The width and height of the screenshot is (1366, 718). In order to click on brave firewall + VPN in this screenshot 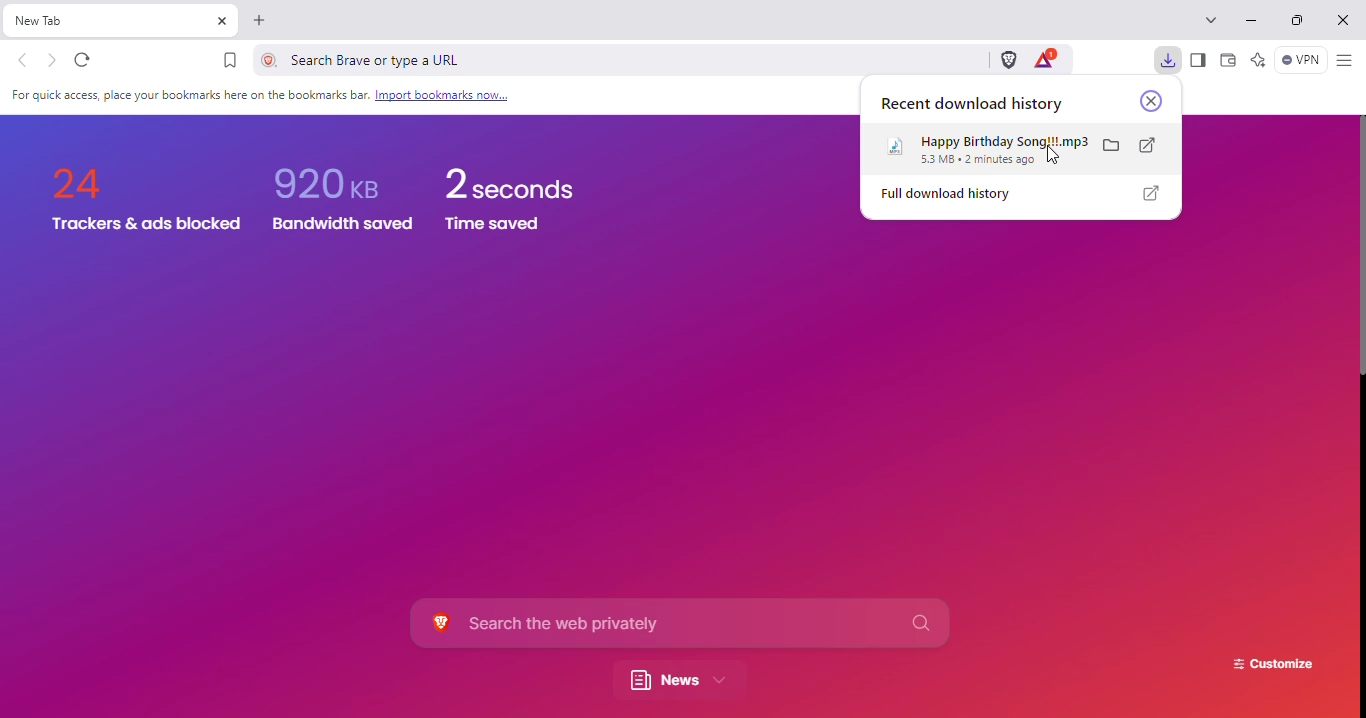, I will do `click(1300, 59)`.